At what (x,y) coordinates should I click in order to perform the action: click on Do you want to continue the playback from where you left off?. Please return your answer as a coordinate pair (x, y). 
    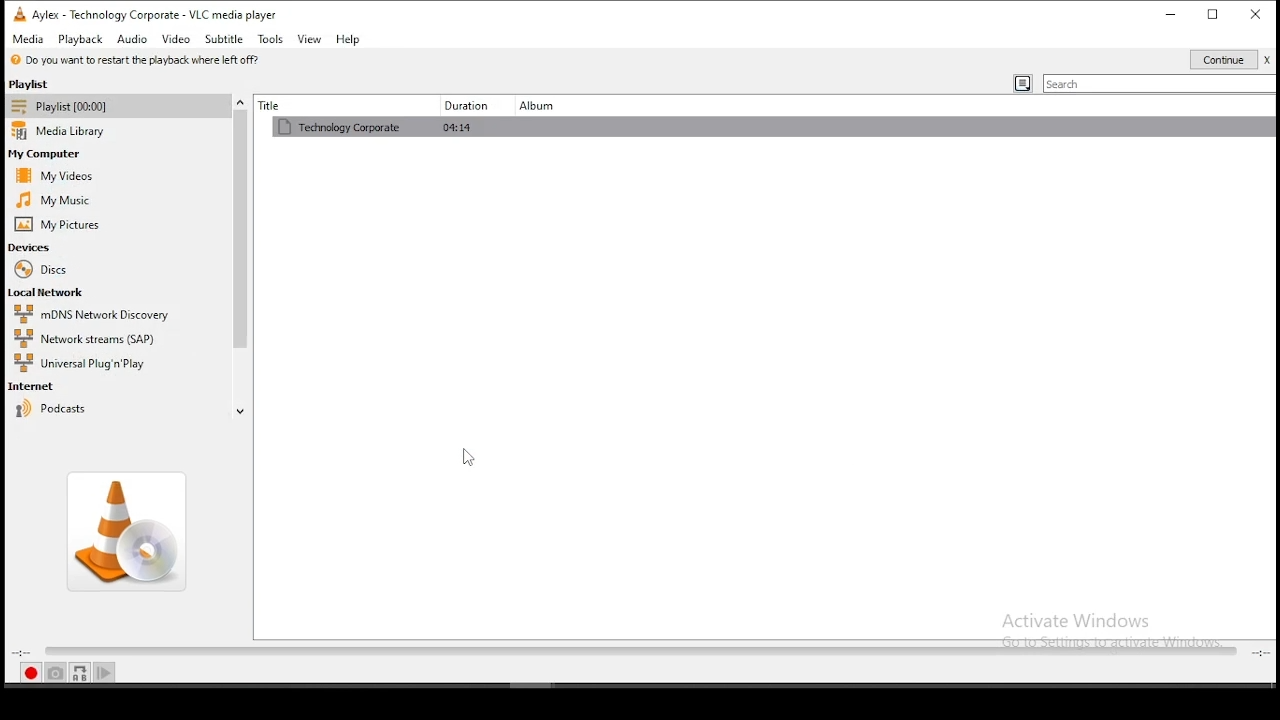
    Looking at the image, I should click on (137, 60).